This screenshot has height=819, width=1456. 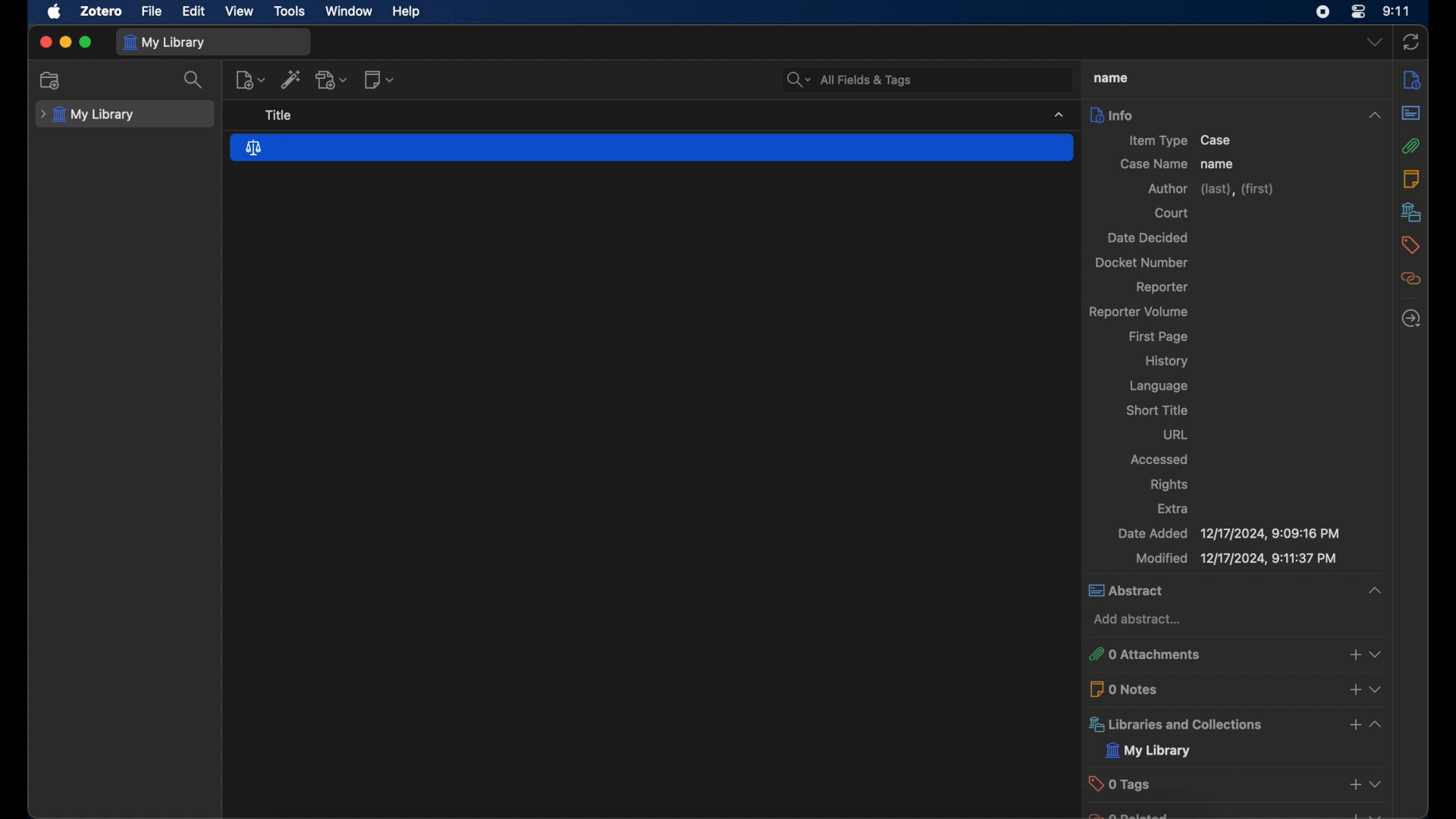 What do you see at coordinates (193, 11) in the screenshot?
I see `edit` at bounding box center [193, 11].